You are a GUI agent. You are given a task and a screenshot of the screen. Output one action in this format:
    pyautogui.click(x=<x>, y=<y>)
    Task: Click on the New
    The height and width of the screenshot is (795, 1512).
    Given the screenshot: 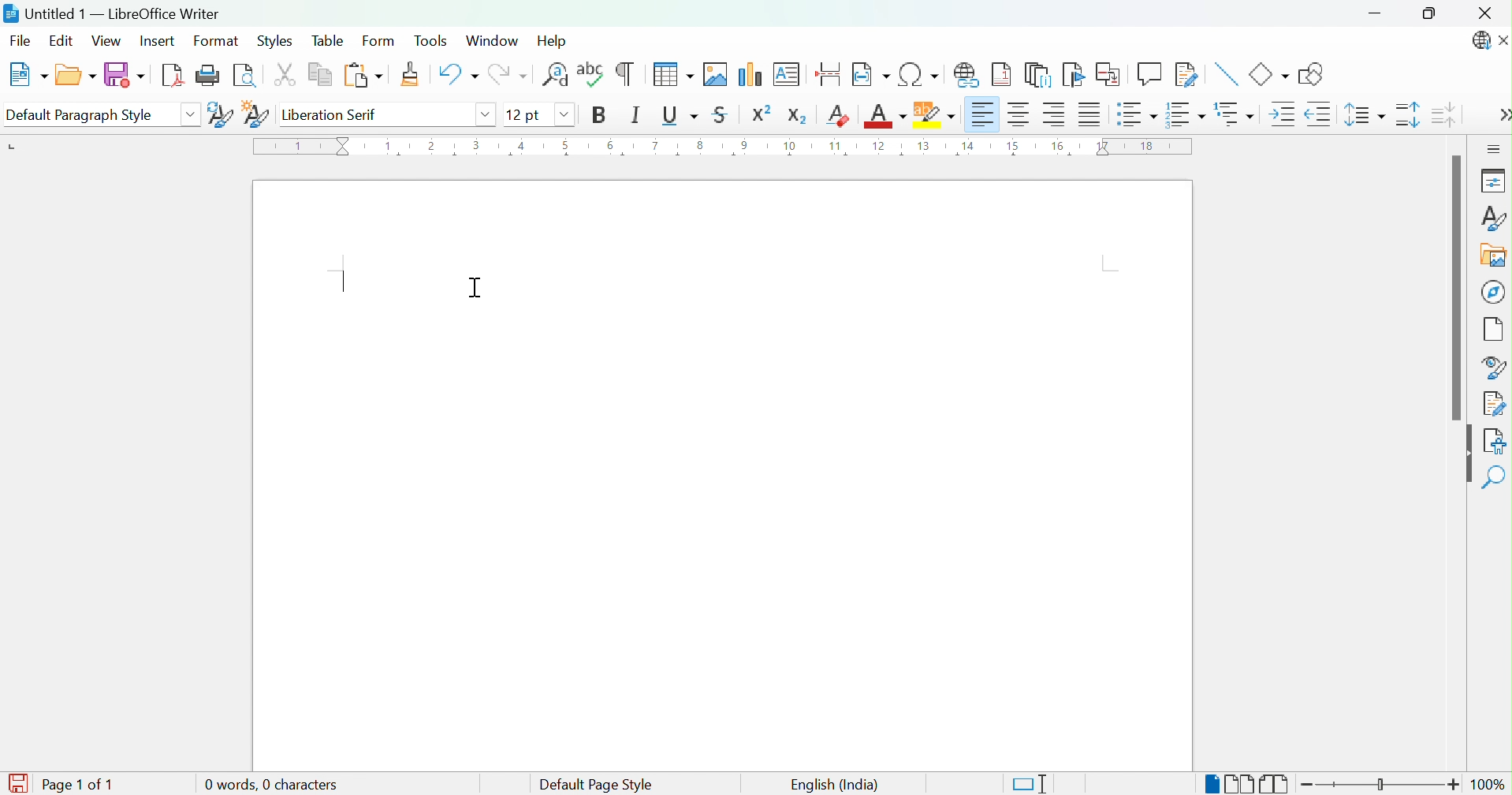 What is the action you would take?
    pyautogui.click(x=28, y=75)
    